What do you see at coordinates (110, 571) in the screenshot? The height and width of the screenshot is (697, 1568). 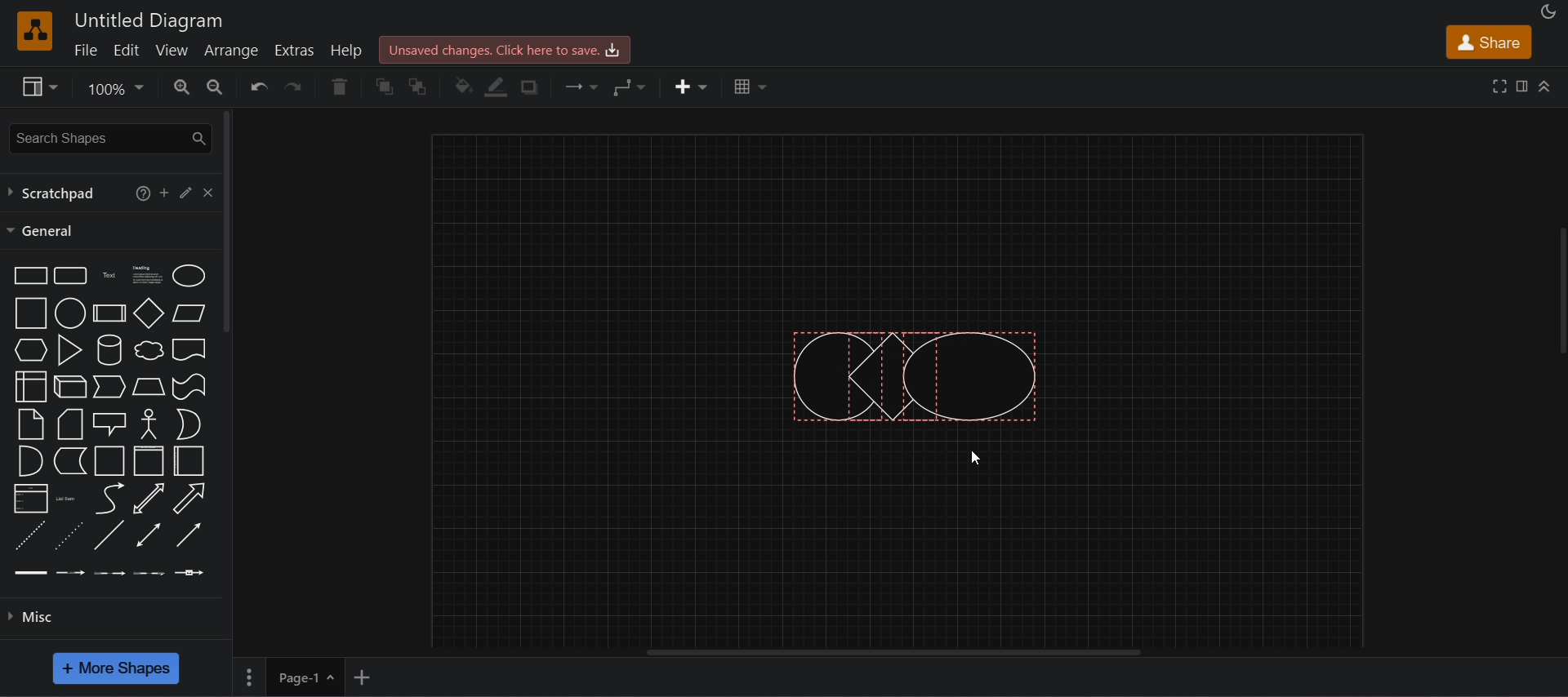 I see `connector with 2 labels` at bounding box center [110, 571].